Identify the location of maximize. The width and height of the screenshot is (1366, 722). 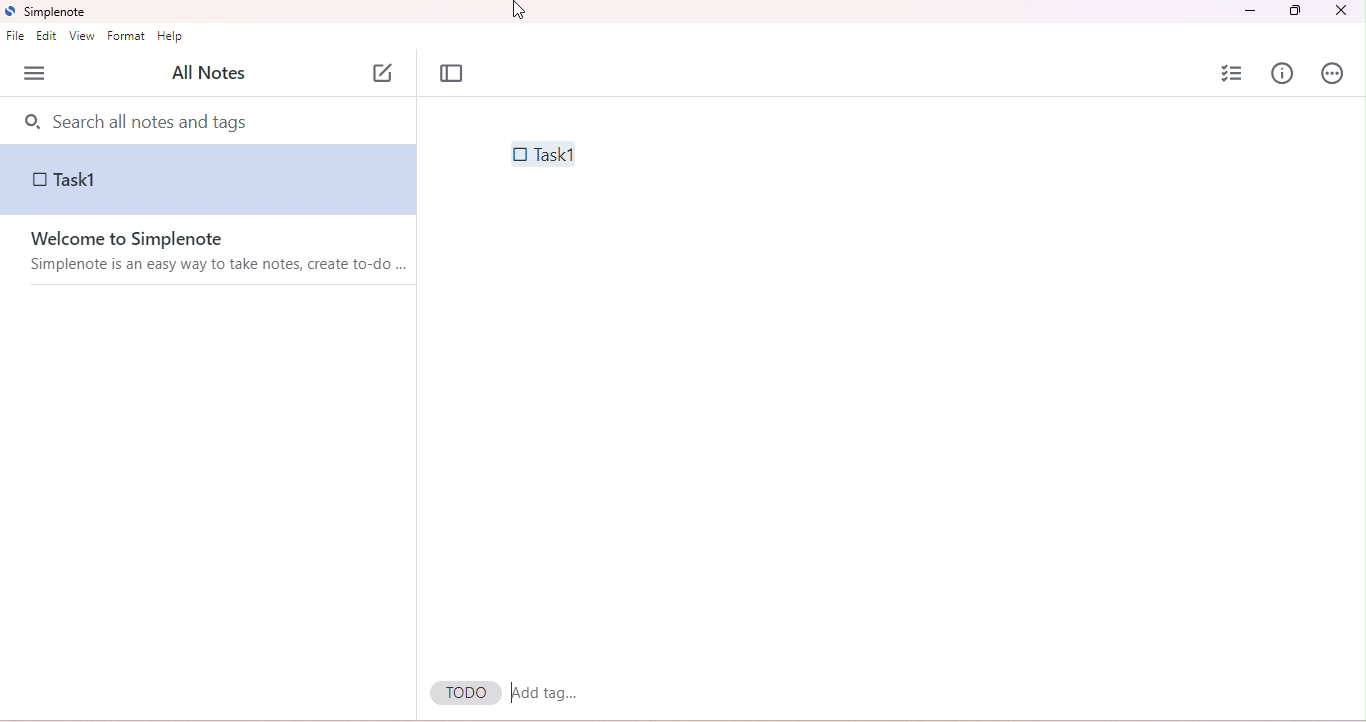
(1293, 11).